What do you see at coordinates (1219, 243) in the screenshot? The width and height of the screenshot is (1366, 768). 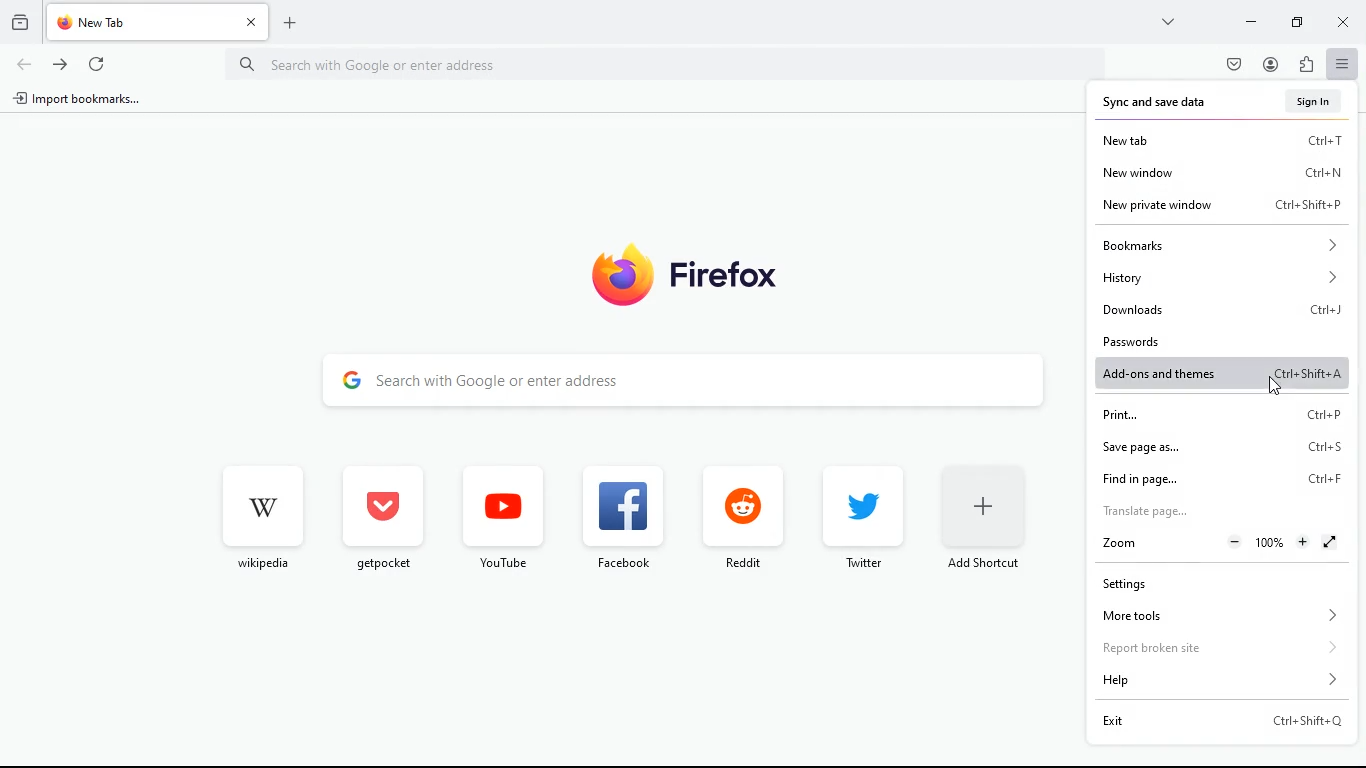 I see `bookmarks` at bounding box center [1219, 243].